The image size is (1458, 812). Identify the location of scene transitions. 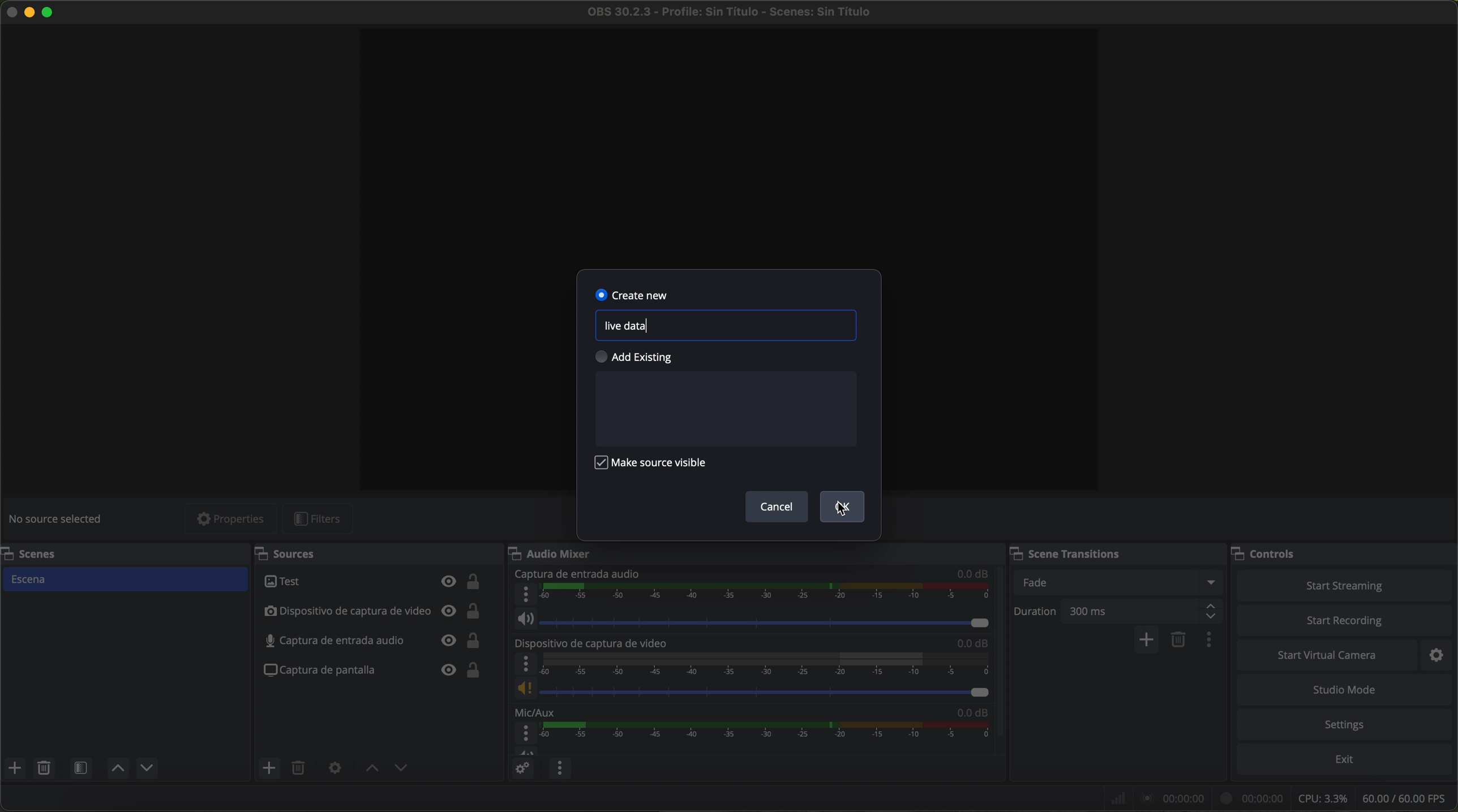
(1070, 553).